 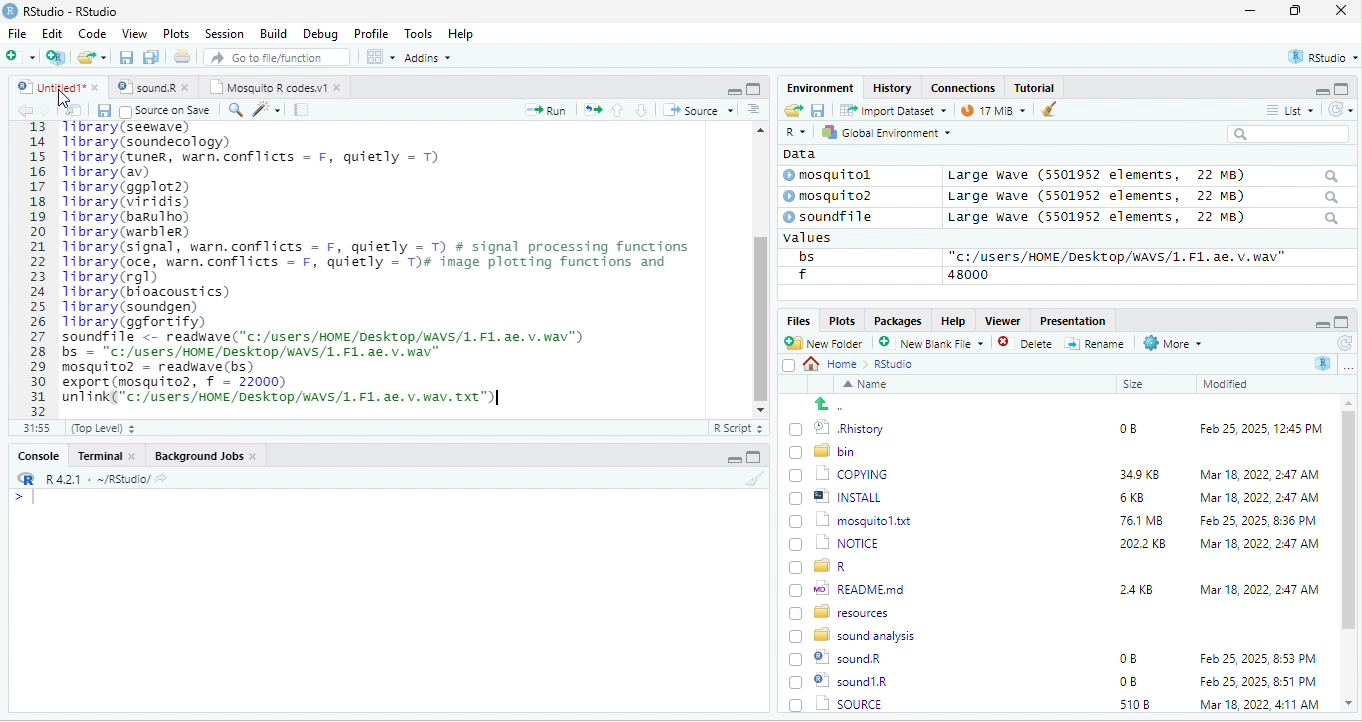 What do you see at coordinates (1344, 88) in the screenshot?
I see `maximize` at bounding box center [1344, 88].